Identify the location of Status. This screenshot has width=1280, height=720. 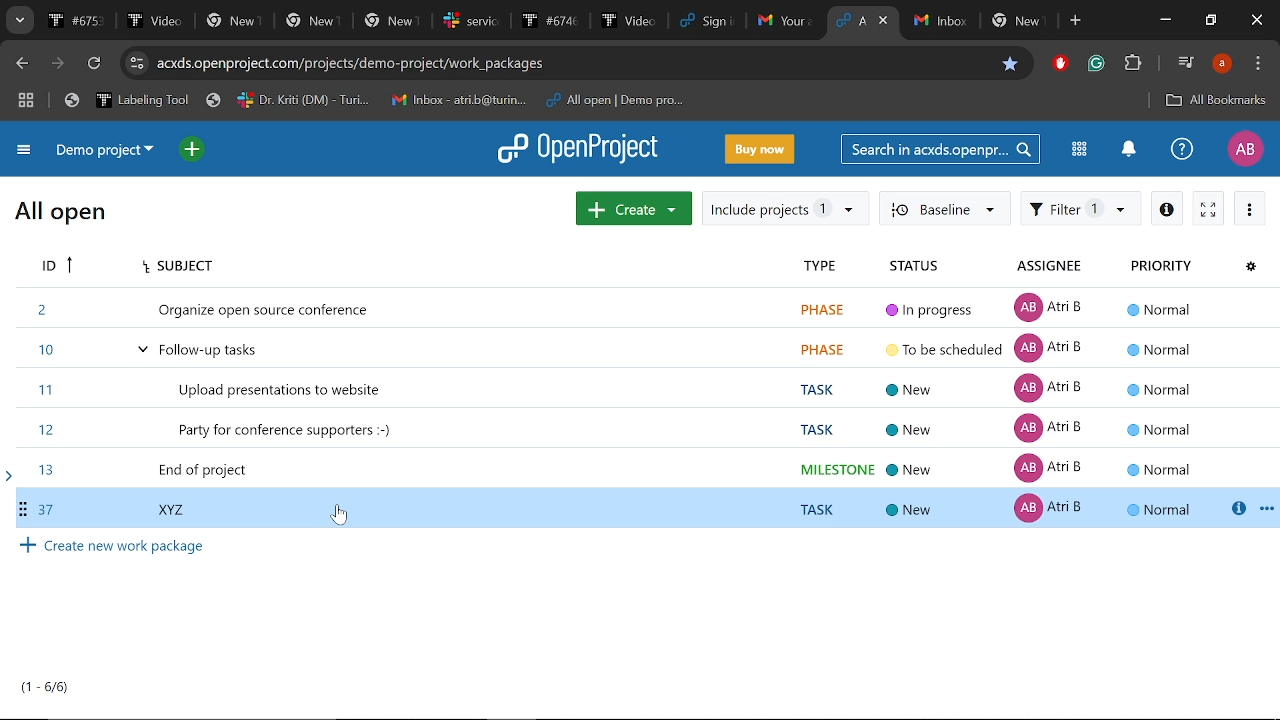
(921, 267).